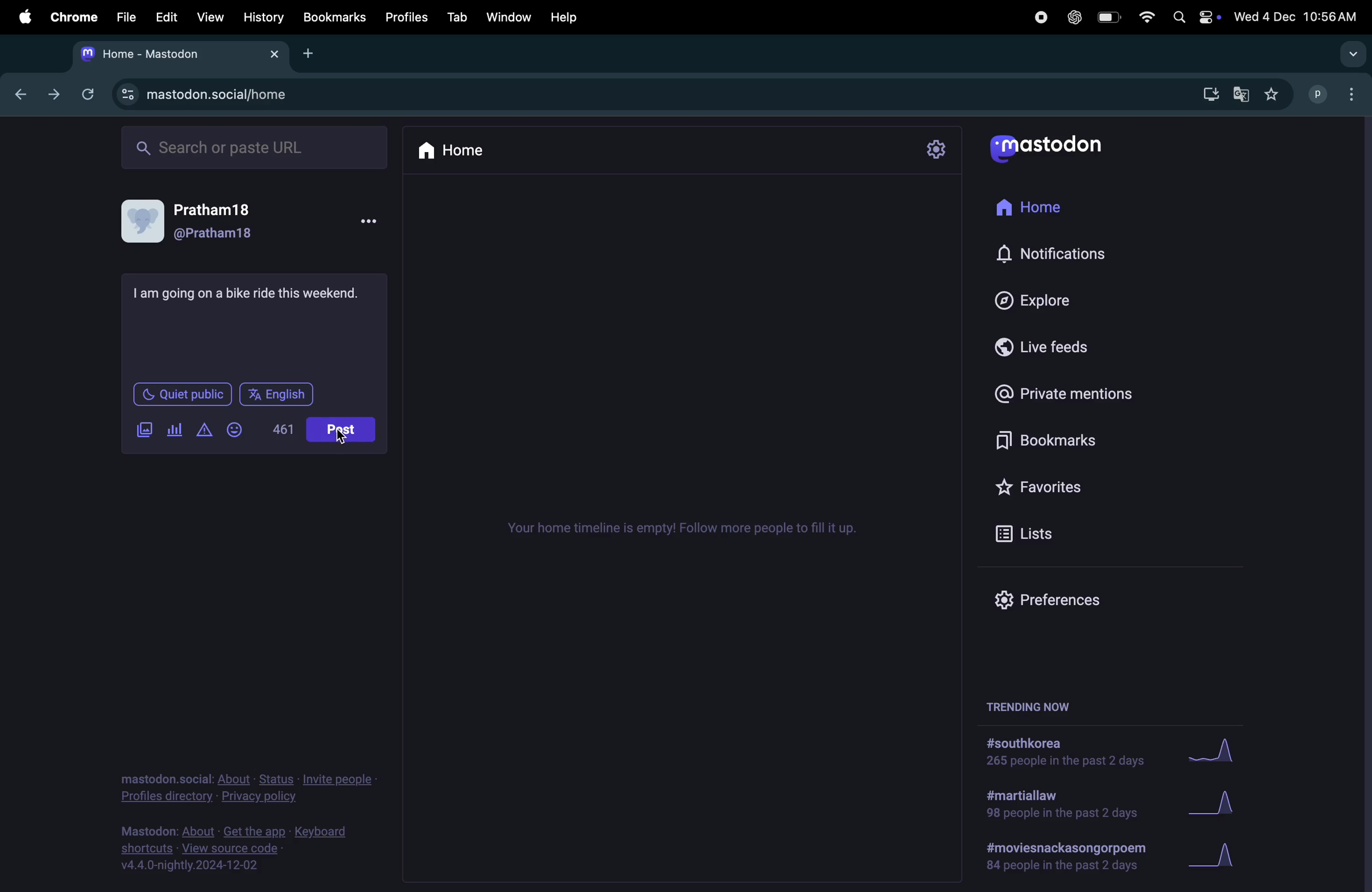 This screenshot has width=1372, height=892. Describe the element at coordinates (263, 16) in the screenshot. I see `history` at that location.